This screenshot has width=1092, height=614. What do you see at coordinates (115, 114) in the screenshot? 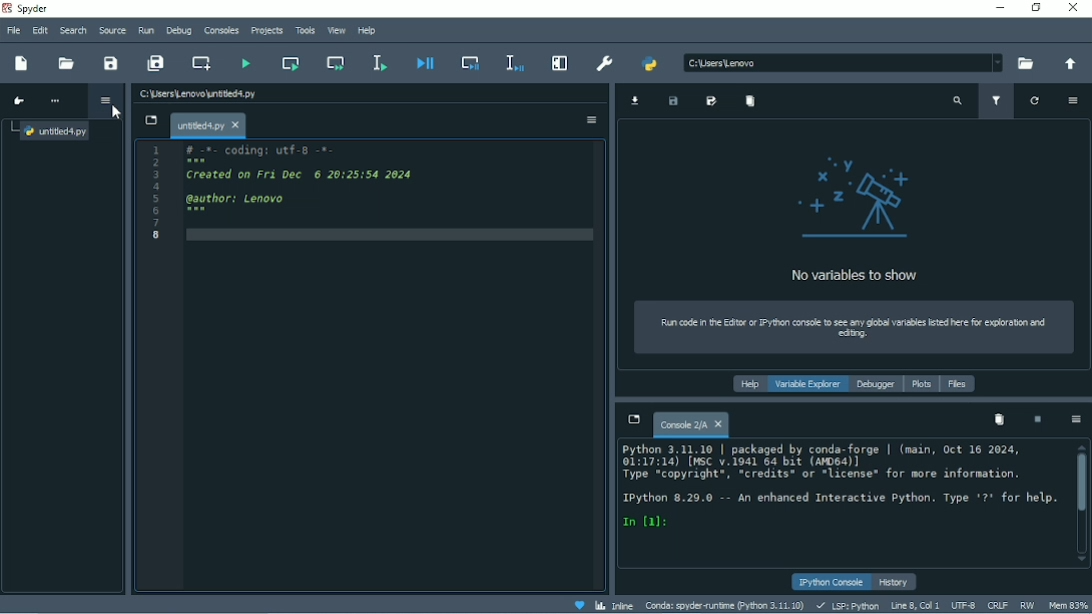
I see `Cursor` at bounding box center [115, 114].